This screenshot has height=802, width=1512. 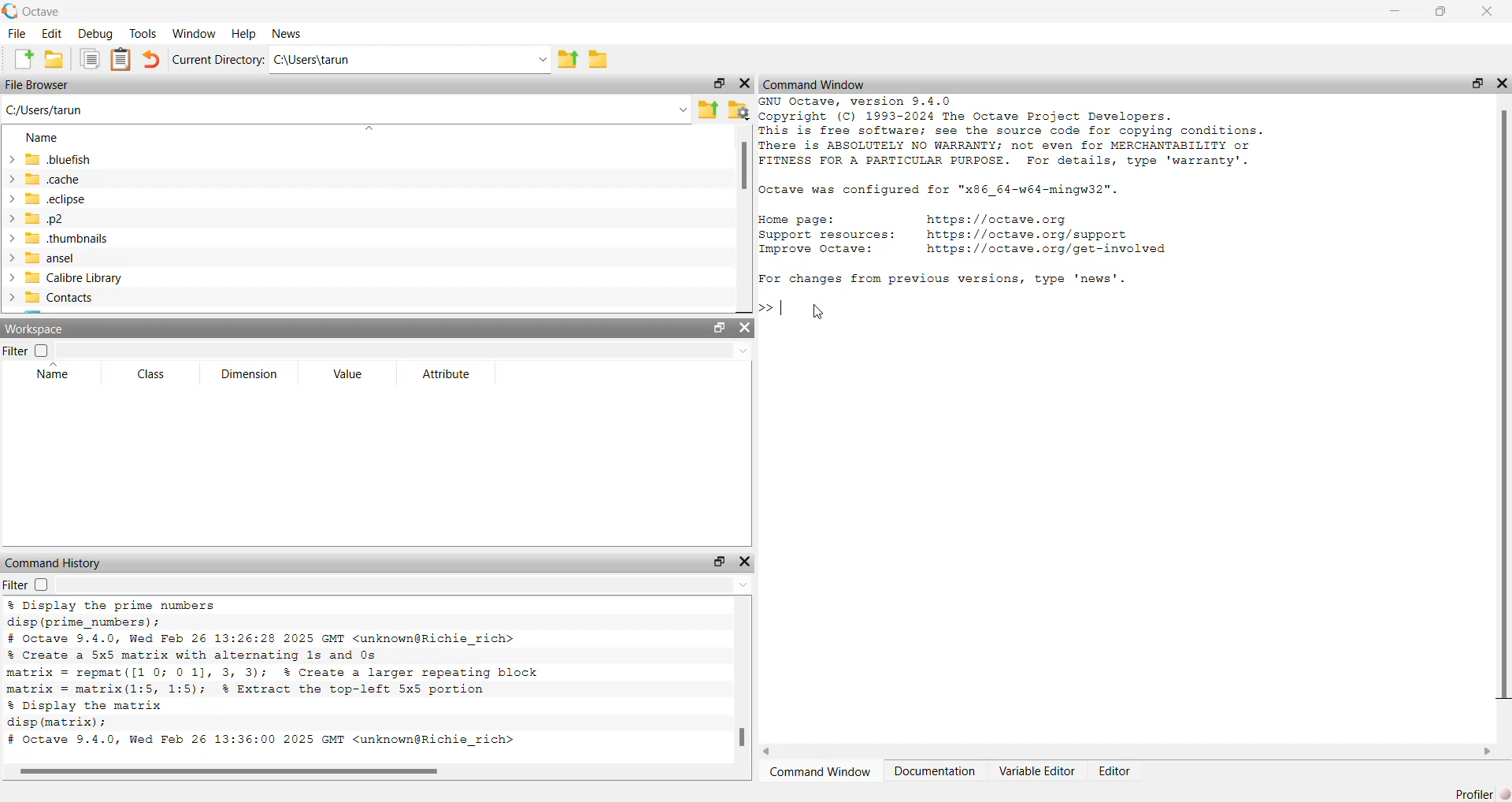 I want to click on octave version and date, so click(x=276, y=742).